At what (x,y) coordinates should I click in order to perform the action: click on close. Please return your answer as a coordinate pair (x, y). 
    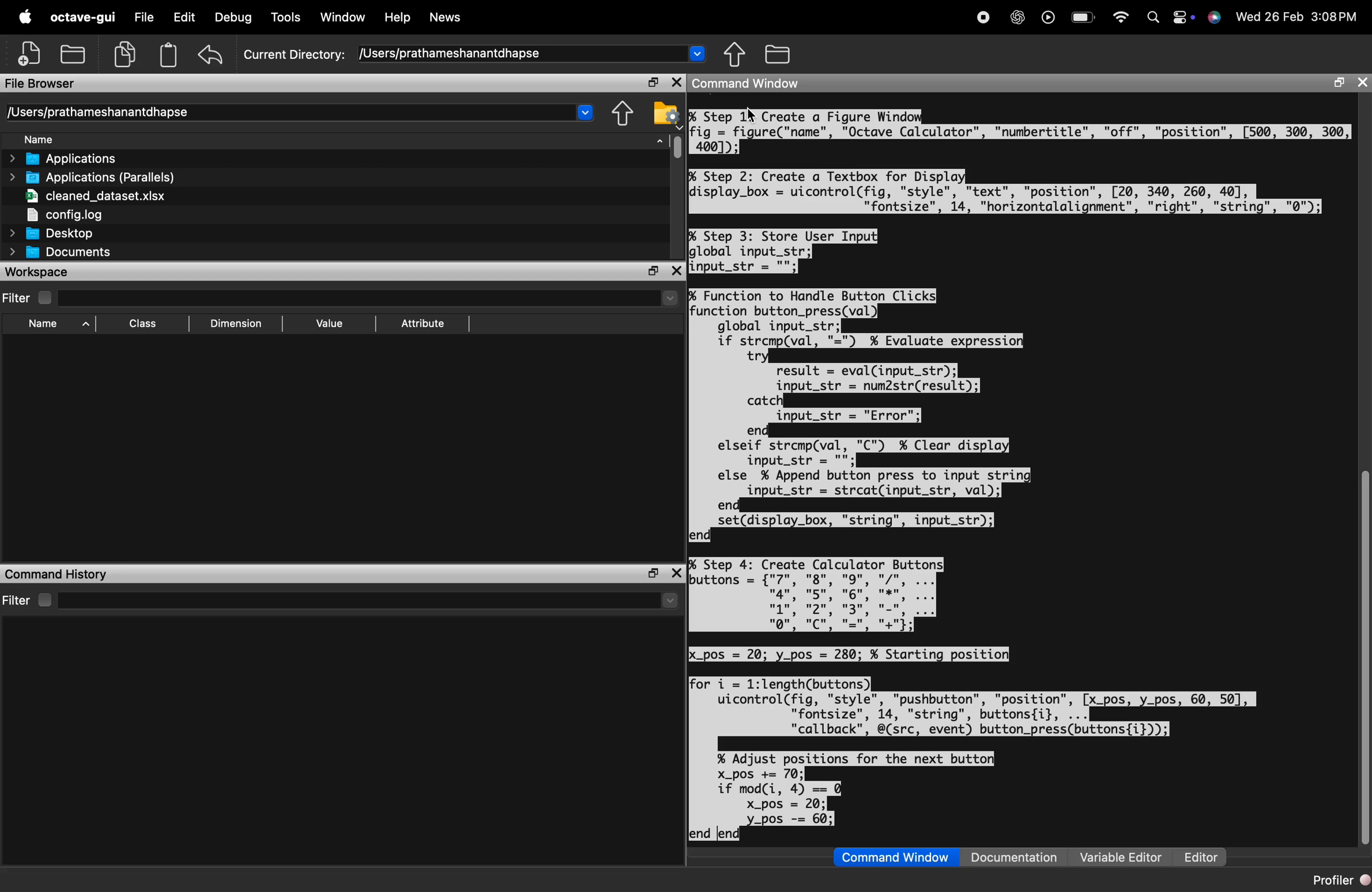
    Looking at the image, I should click on (652, 573).